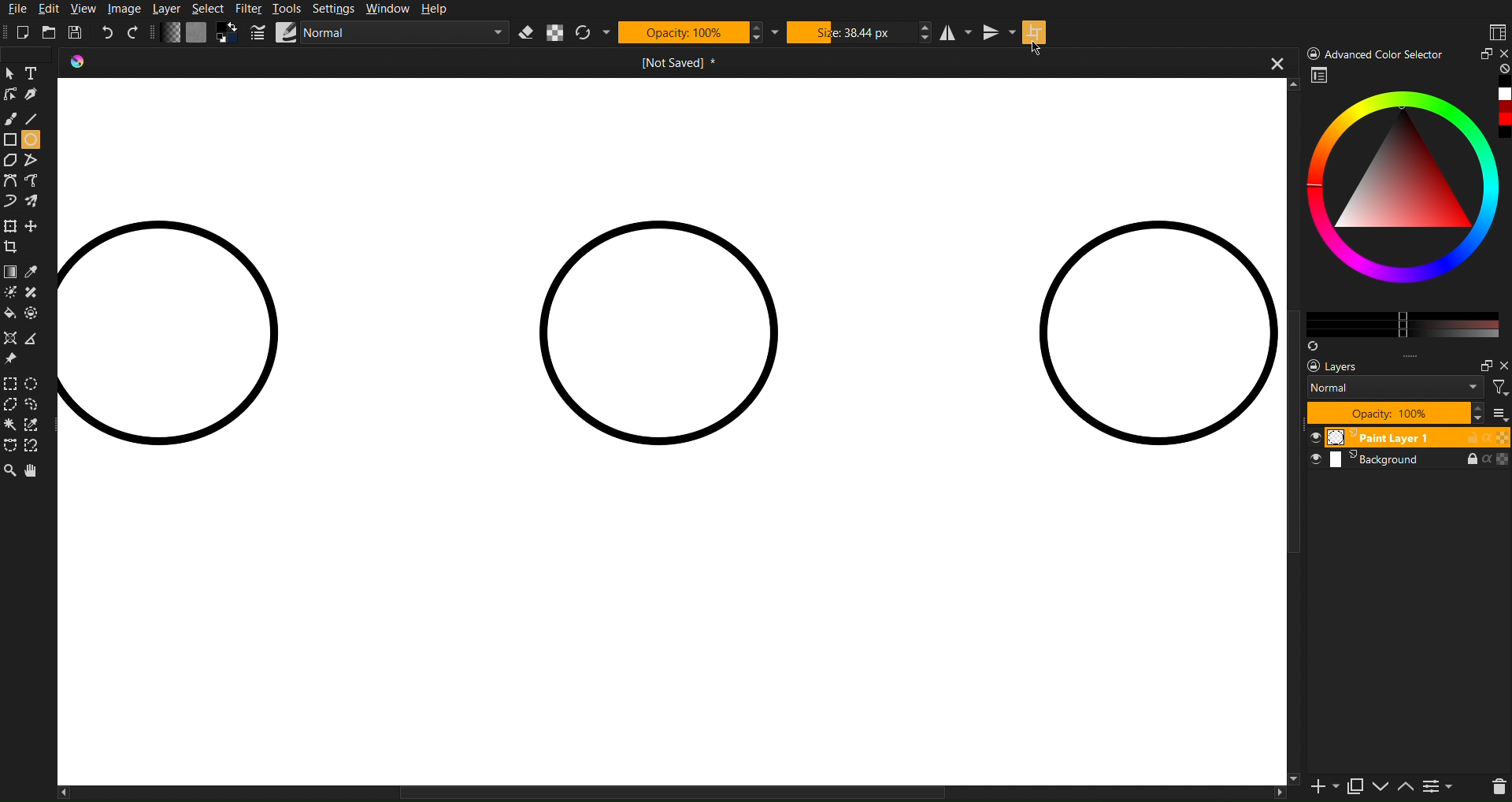 Image resolution: width=1512 pixels, height=802 pixels. I want to click on Color Tools, so click(10, 270).